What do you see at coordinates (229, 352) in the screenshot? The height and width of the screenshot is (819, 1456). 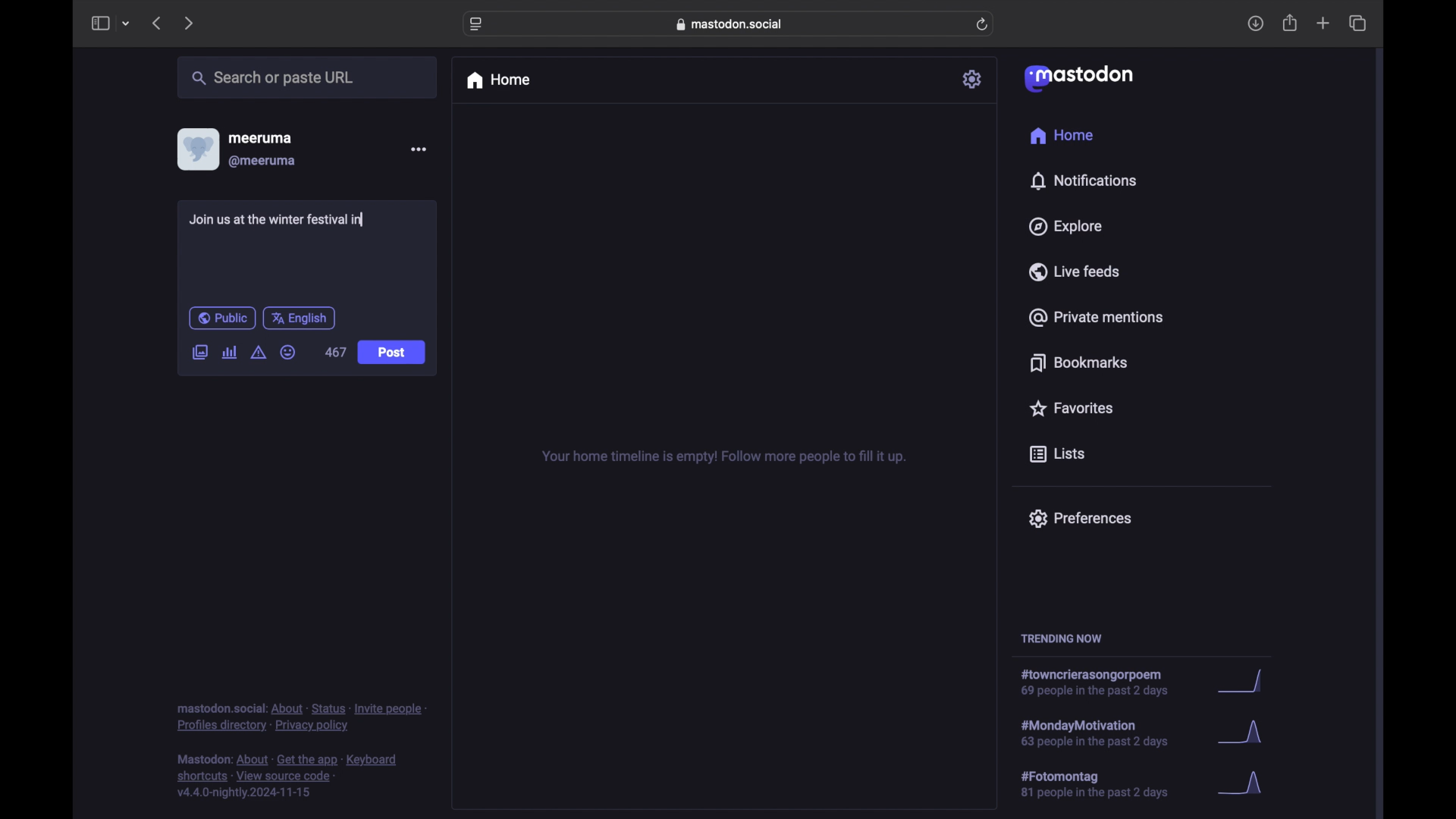 I see `add  poll` at bounding box center [229, 352].